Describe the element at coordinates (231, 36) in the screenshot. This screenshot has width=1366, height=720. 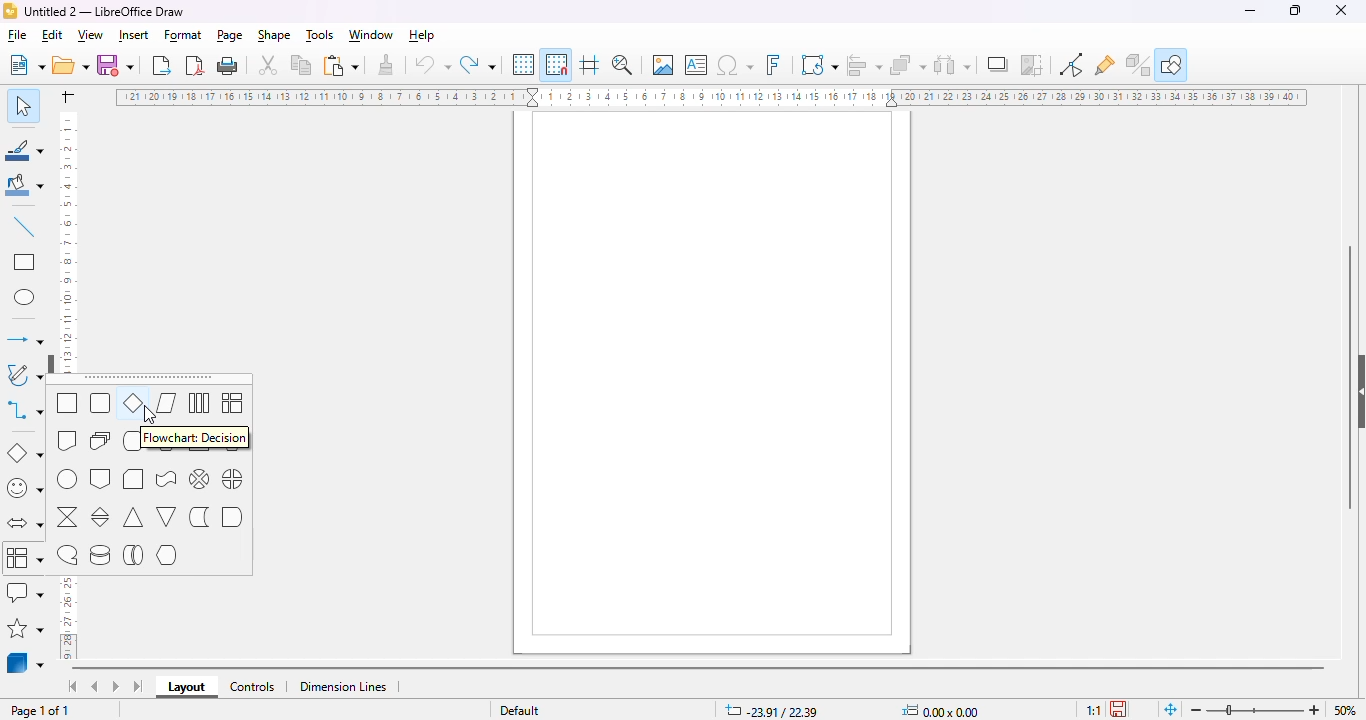
I see `page` at that location.